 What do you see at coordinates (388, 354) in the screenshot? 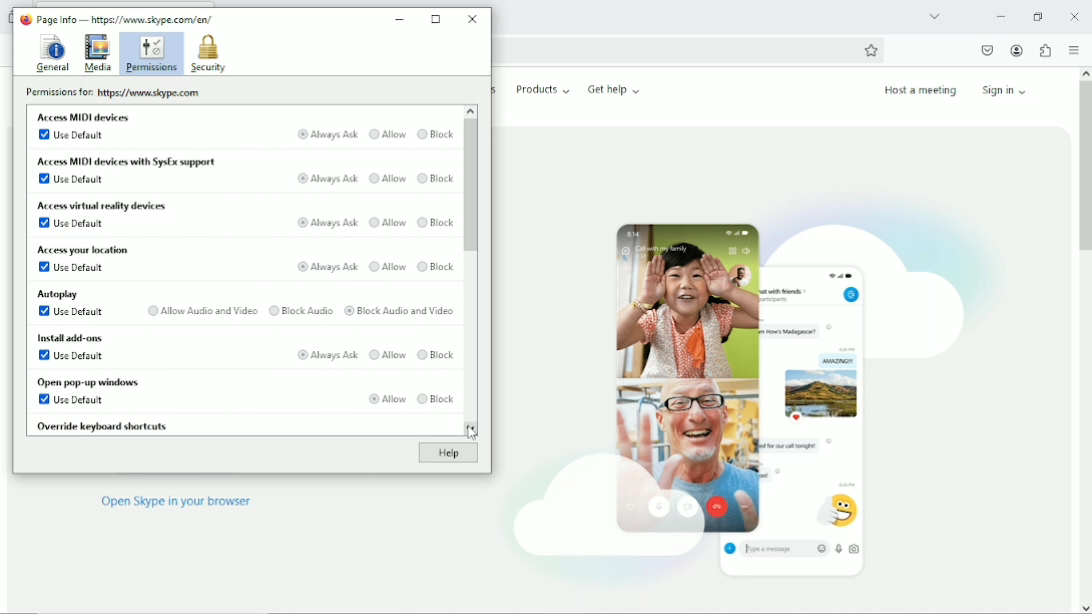
I see `Allow` at bounding box center [388, 354].